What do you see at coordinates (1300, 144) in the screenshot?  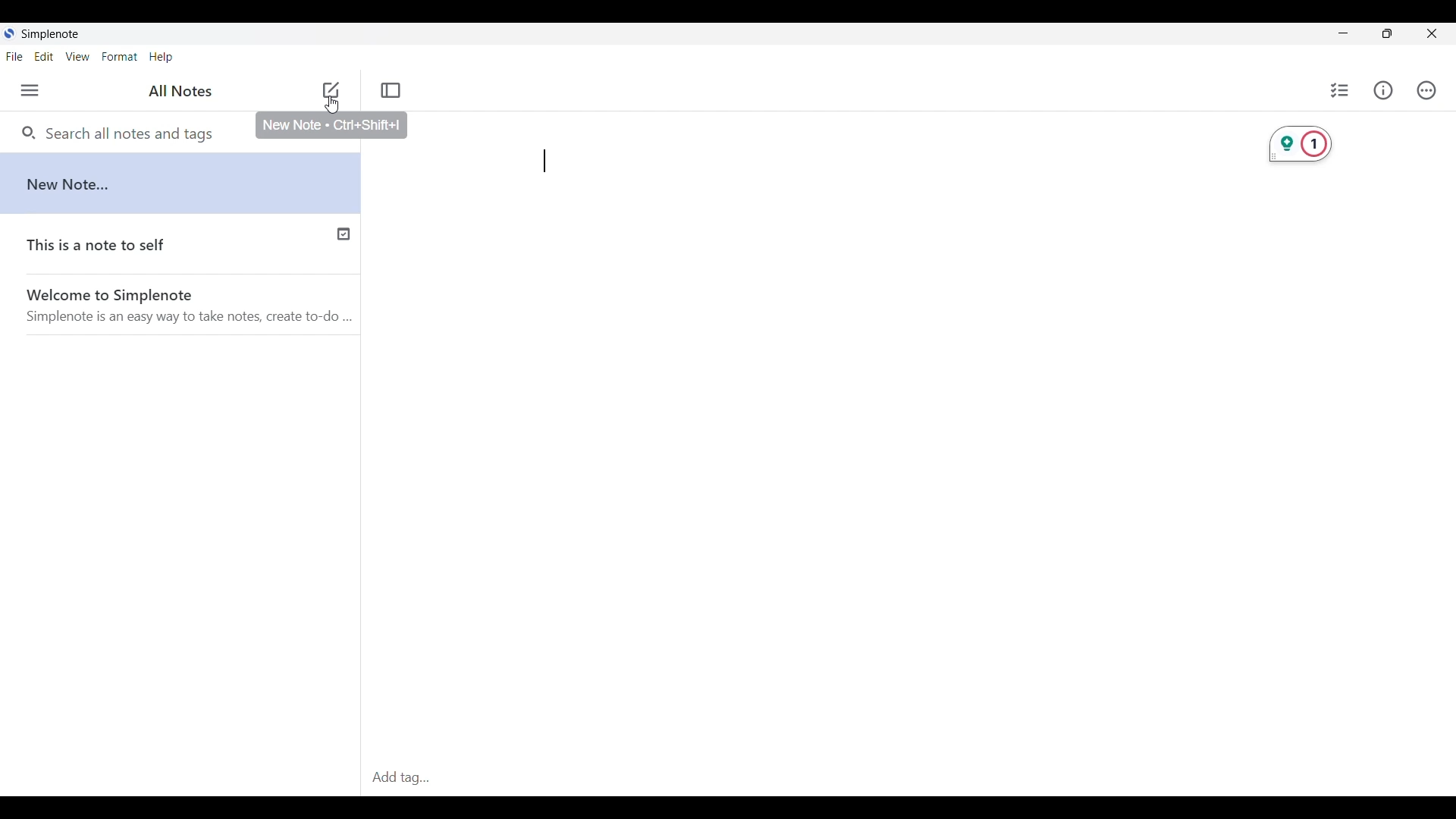 I see `Grammarly extension for current note` at bounding box center [1300, 144].